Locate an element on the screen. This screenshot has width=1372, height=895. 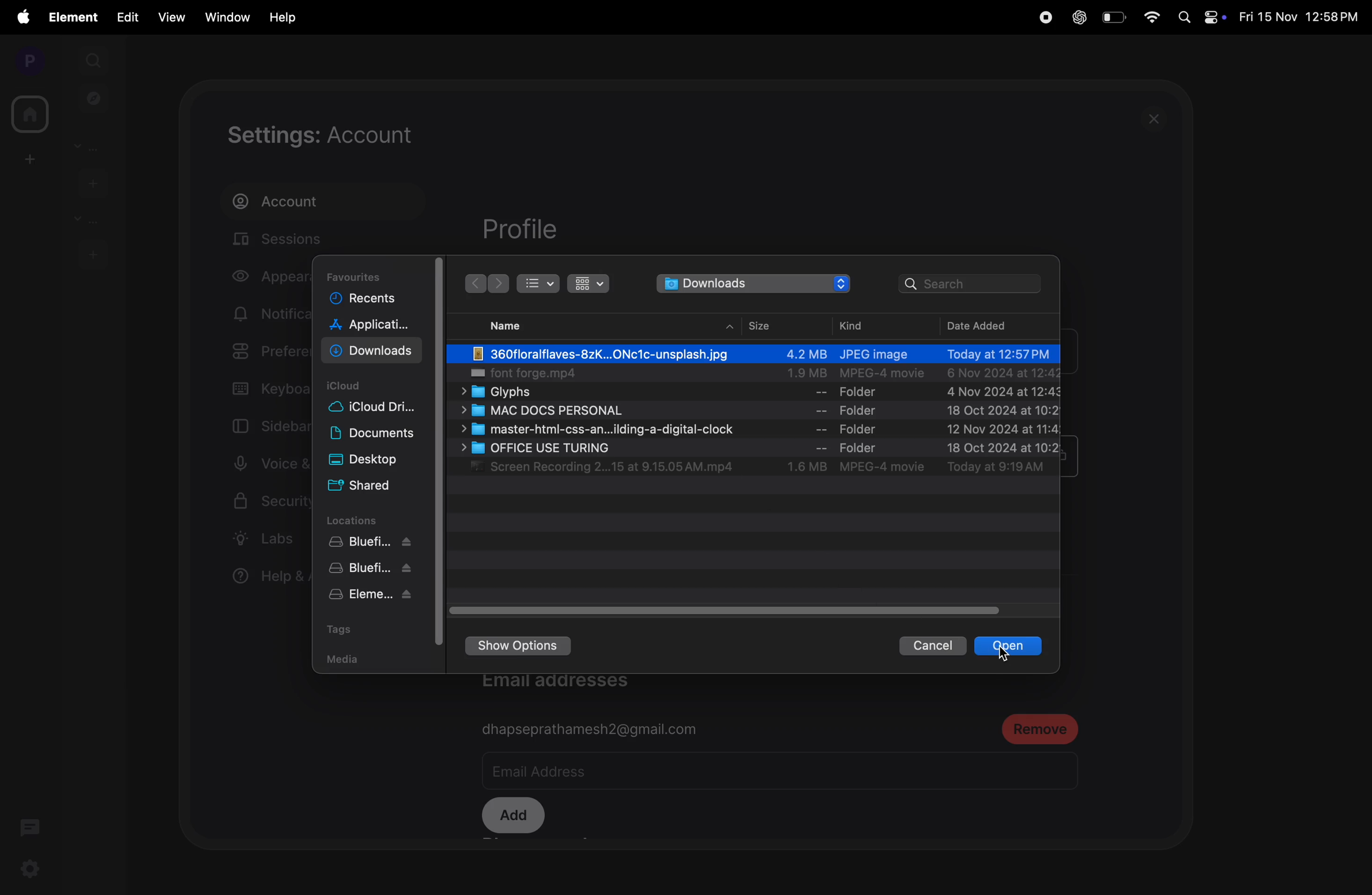
i cloud drive is located at coordinates (377, 408).